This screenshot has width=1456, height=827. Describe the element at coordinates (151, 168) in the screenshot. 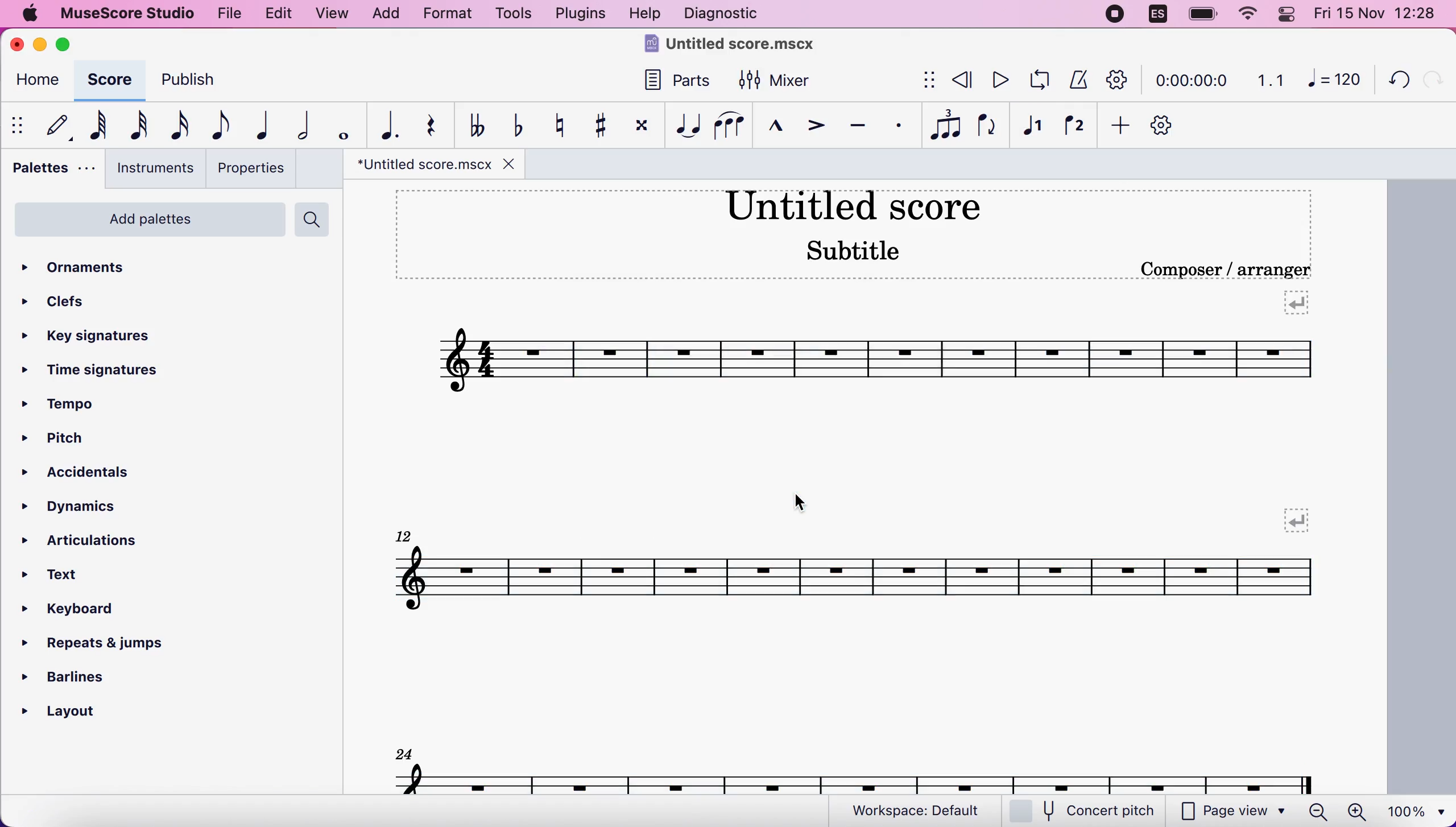

I see `instruments` at that location.